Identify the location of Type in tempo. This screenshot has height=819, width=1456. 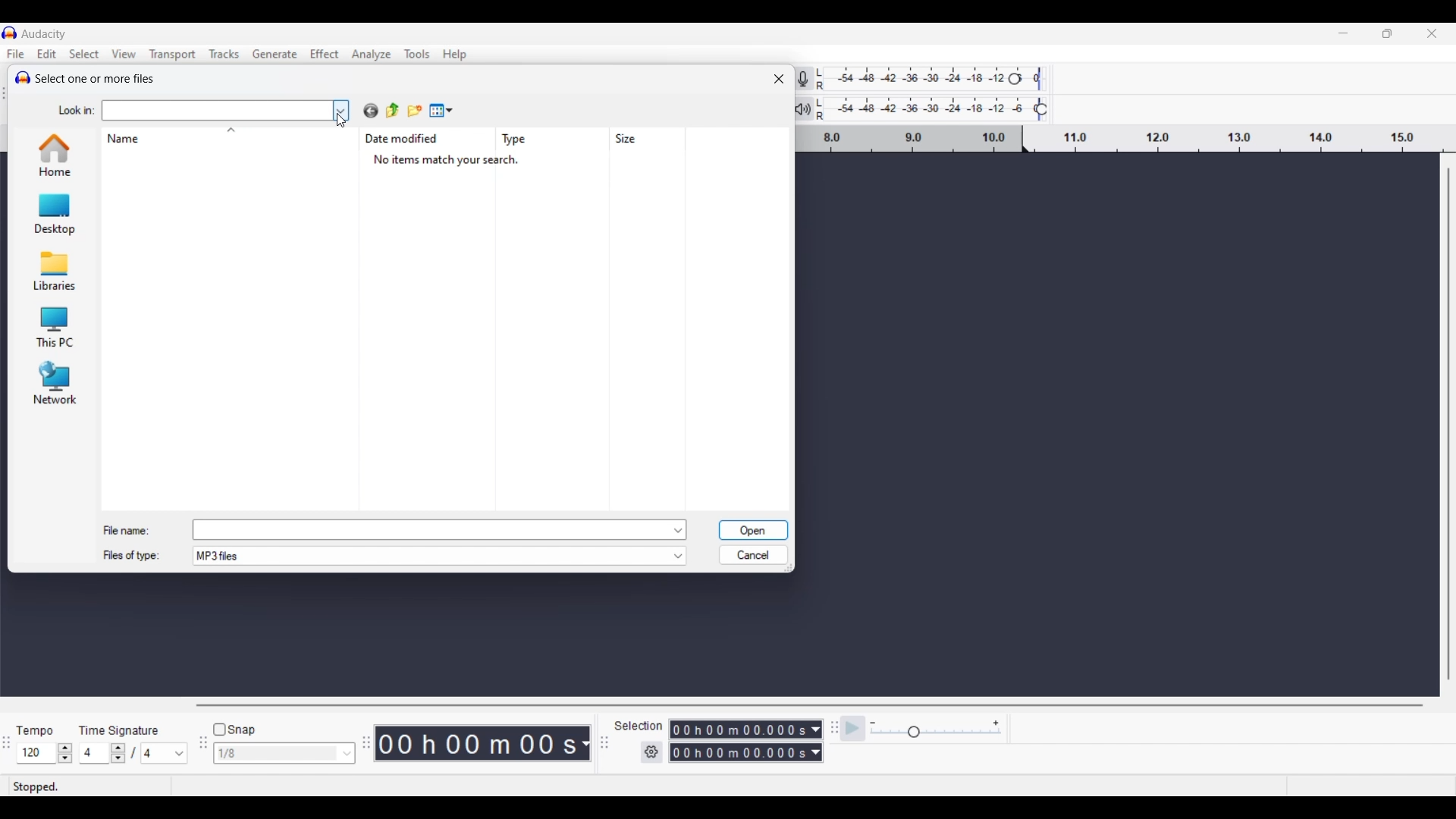
(37, 754).